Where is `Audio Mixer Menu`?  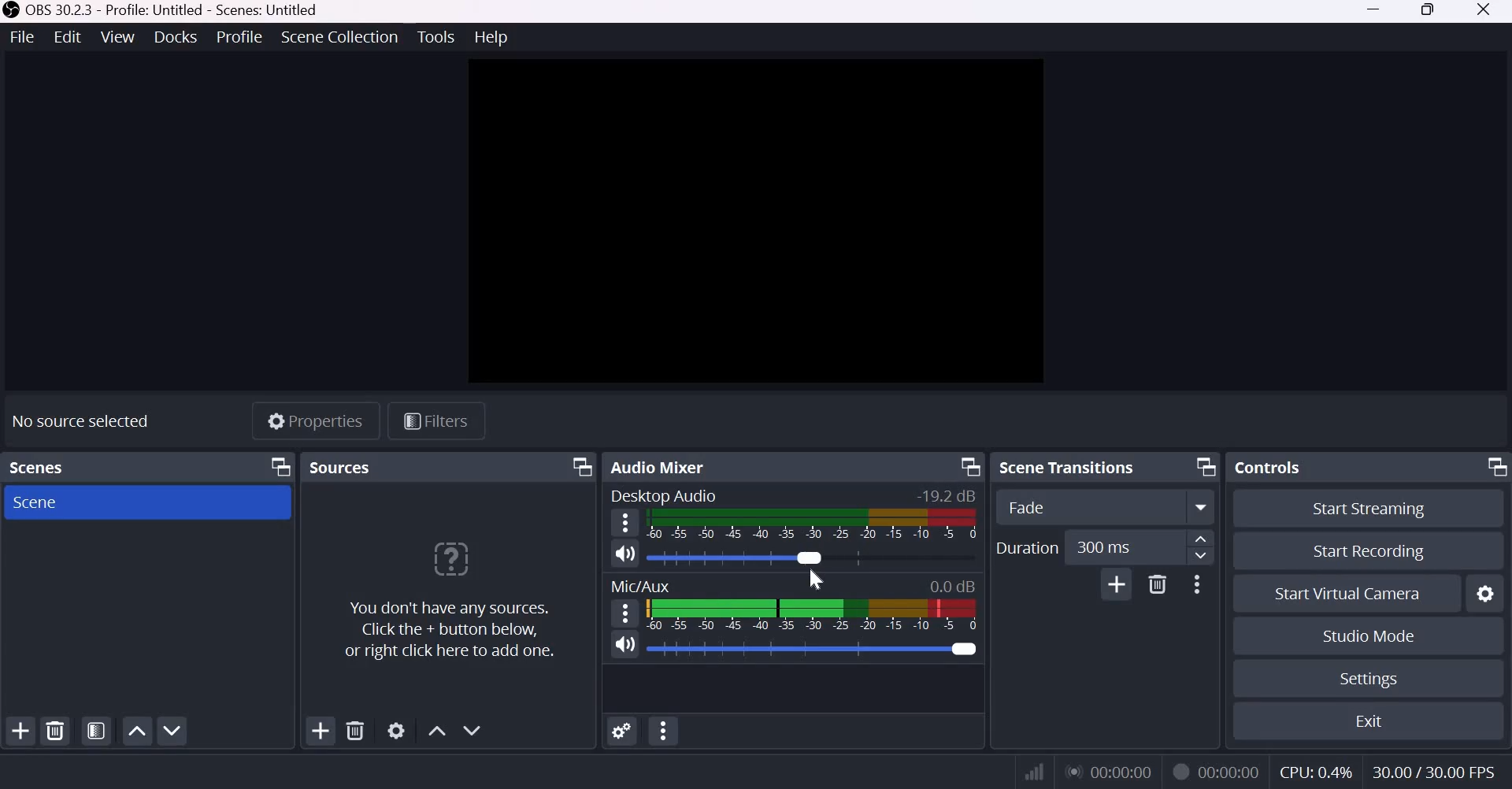
Audio Mixer Menu is located at coordinates (663, 732).